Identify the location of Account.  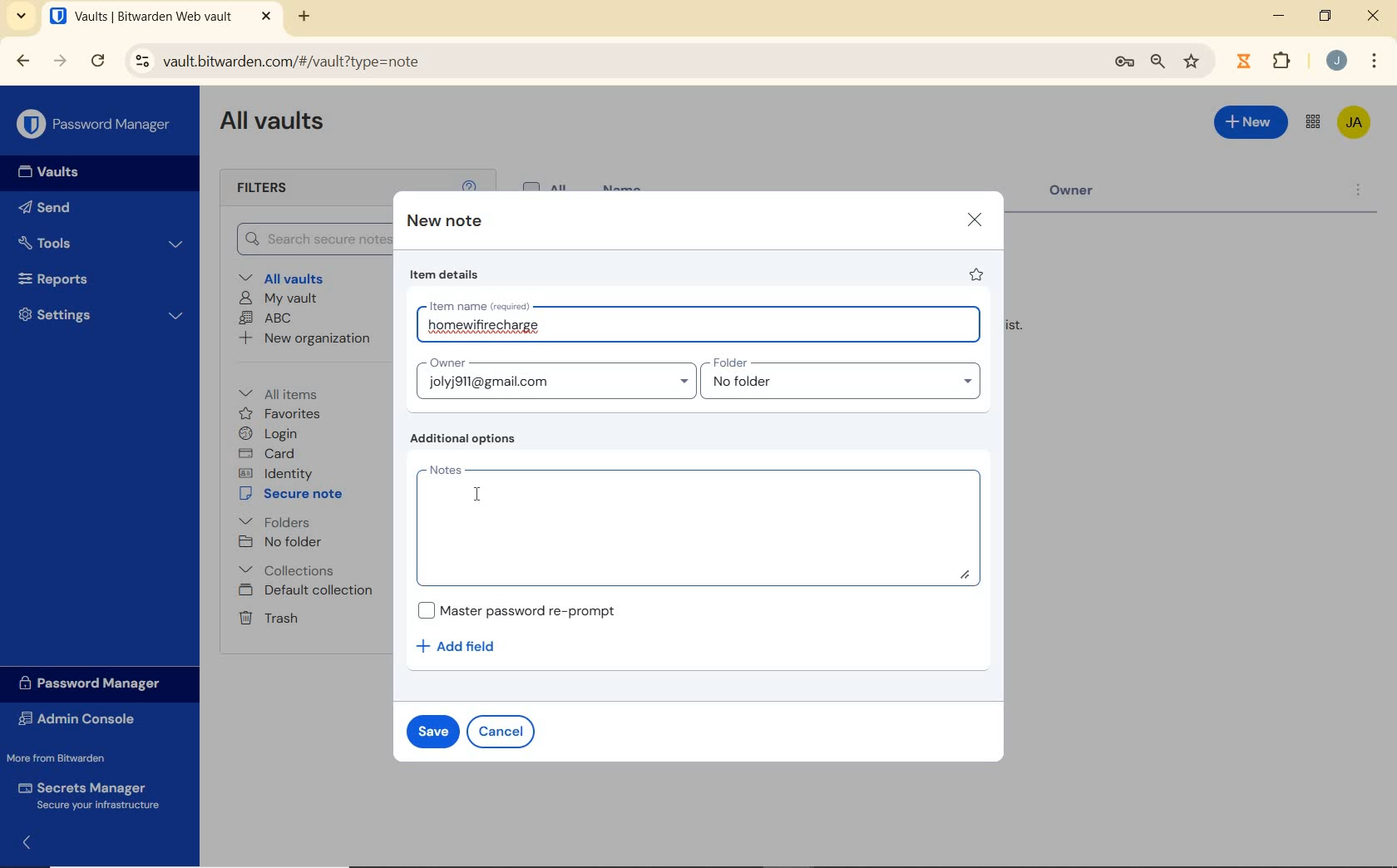
(1335, 60).